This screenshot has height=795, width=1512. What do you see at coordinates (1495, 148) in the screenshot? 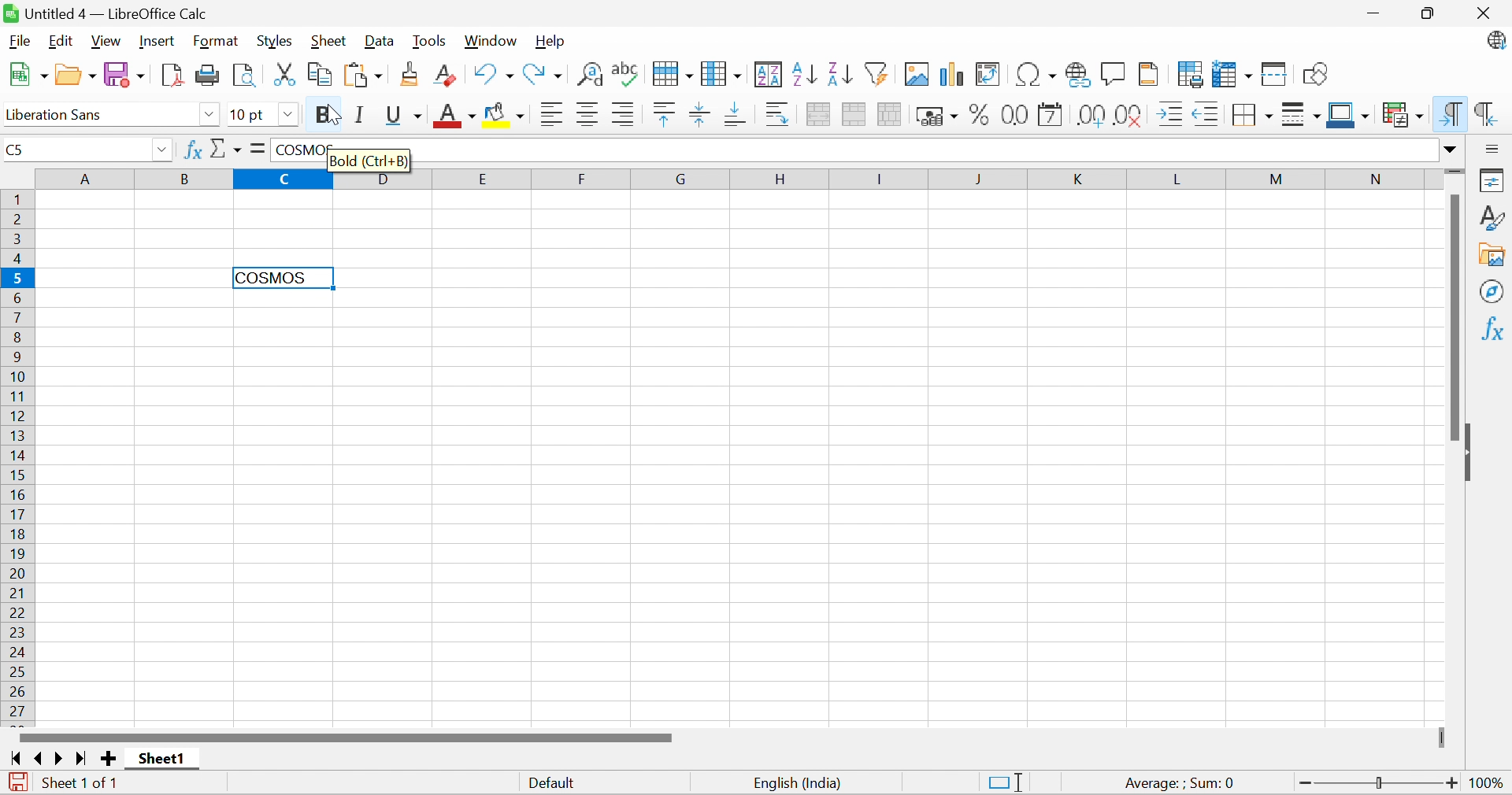
I see `Sidebar Settings` at bounding box center [1495, 148].